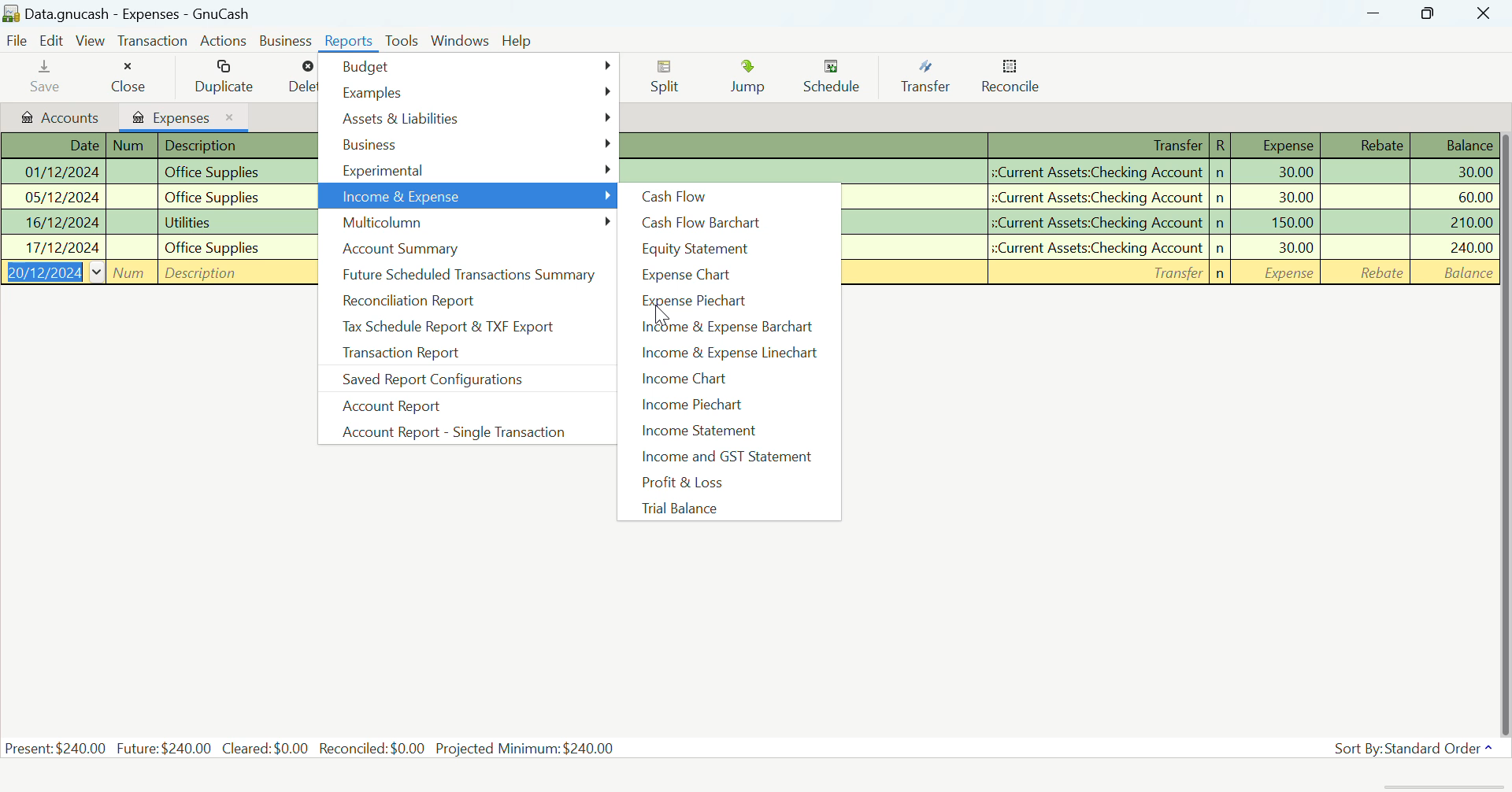 The width and height of the screenshot is (1512, 792). Describe the element at coordinates (43, 80) in the screenshot. I see `Save` at that location.